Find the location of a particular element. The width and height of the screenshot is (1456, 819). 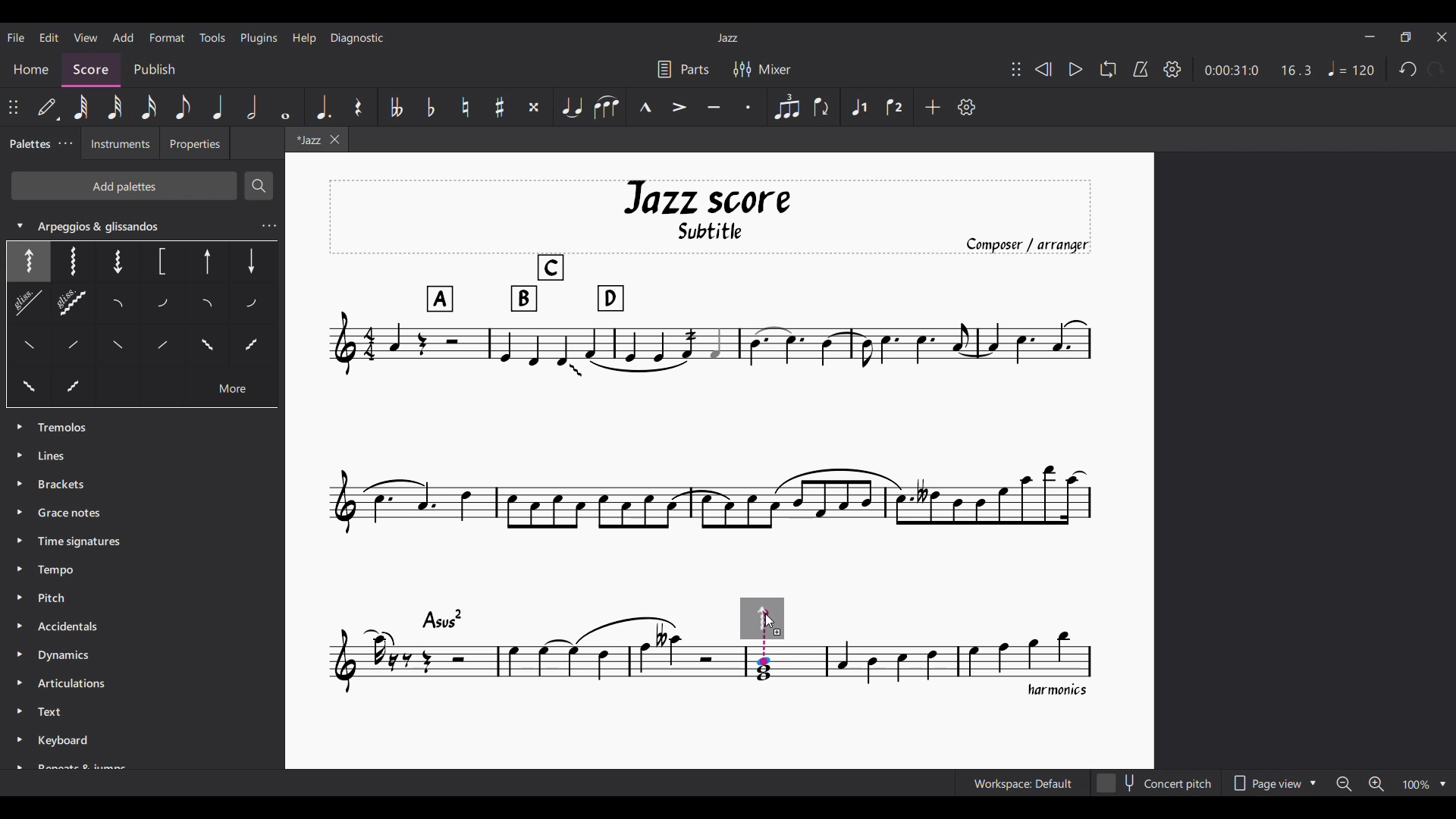

Staccato is located at coordinates (748, 108).